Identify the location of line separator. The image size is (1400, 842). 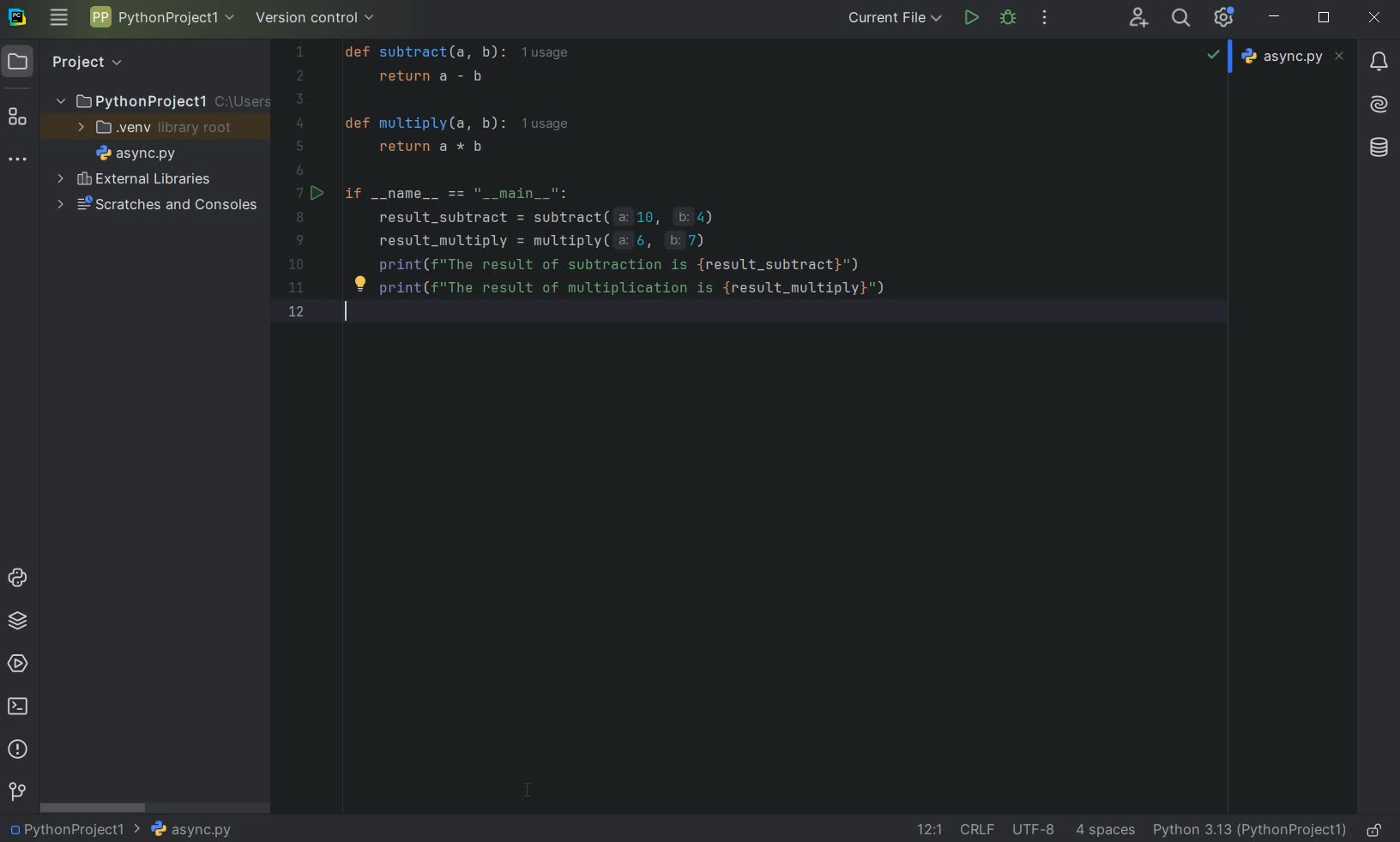
(976, 830).